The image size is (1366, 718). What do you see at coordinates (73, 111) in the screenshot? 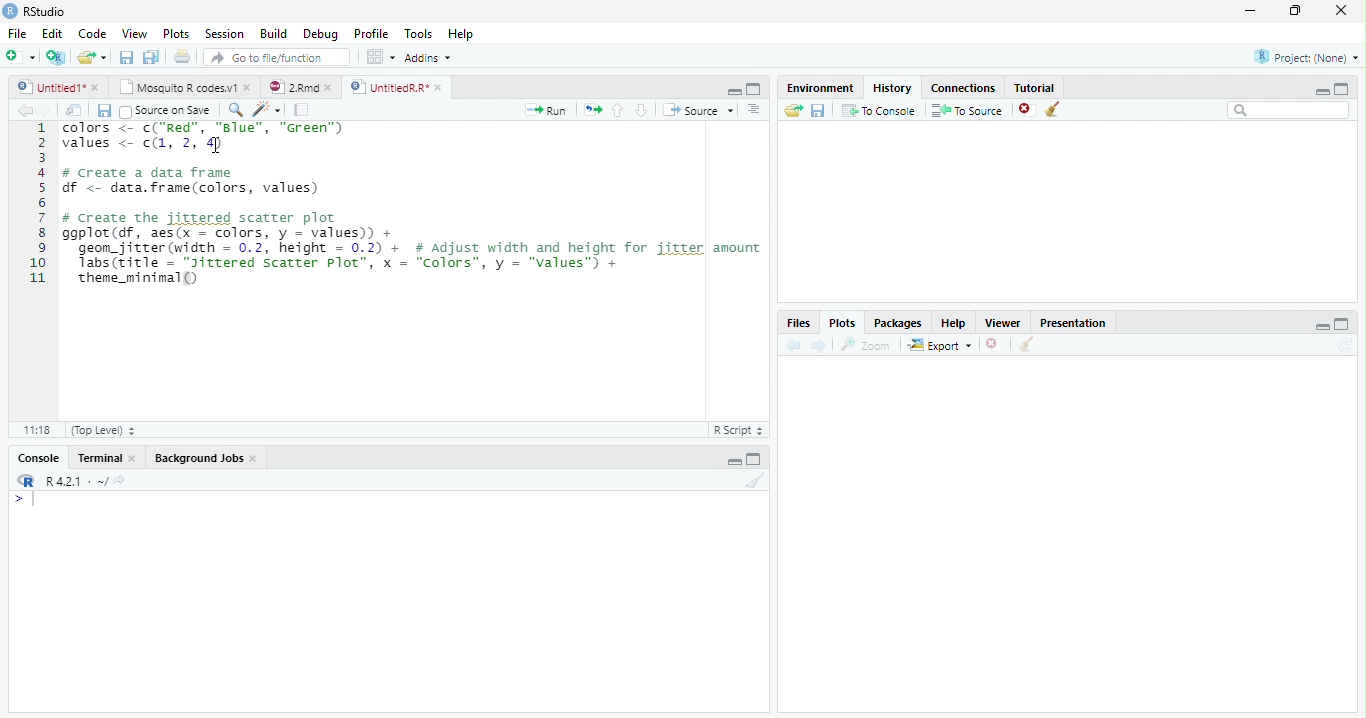
I see `Show in new window` at bounding box center [73, 111].